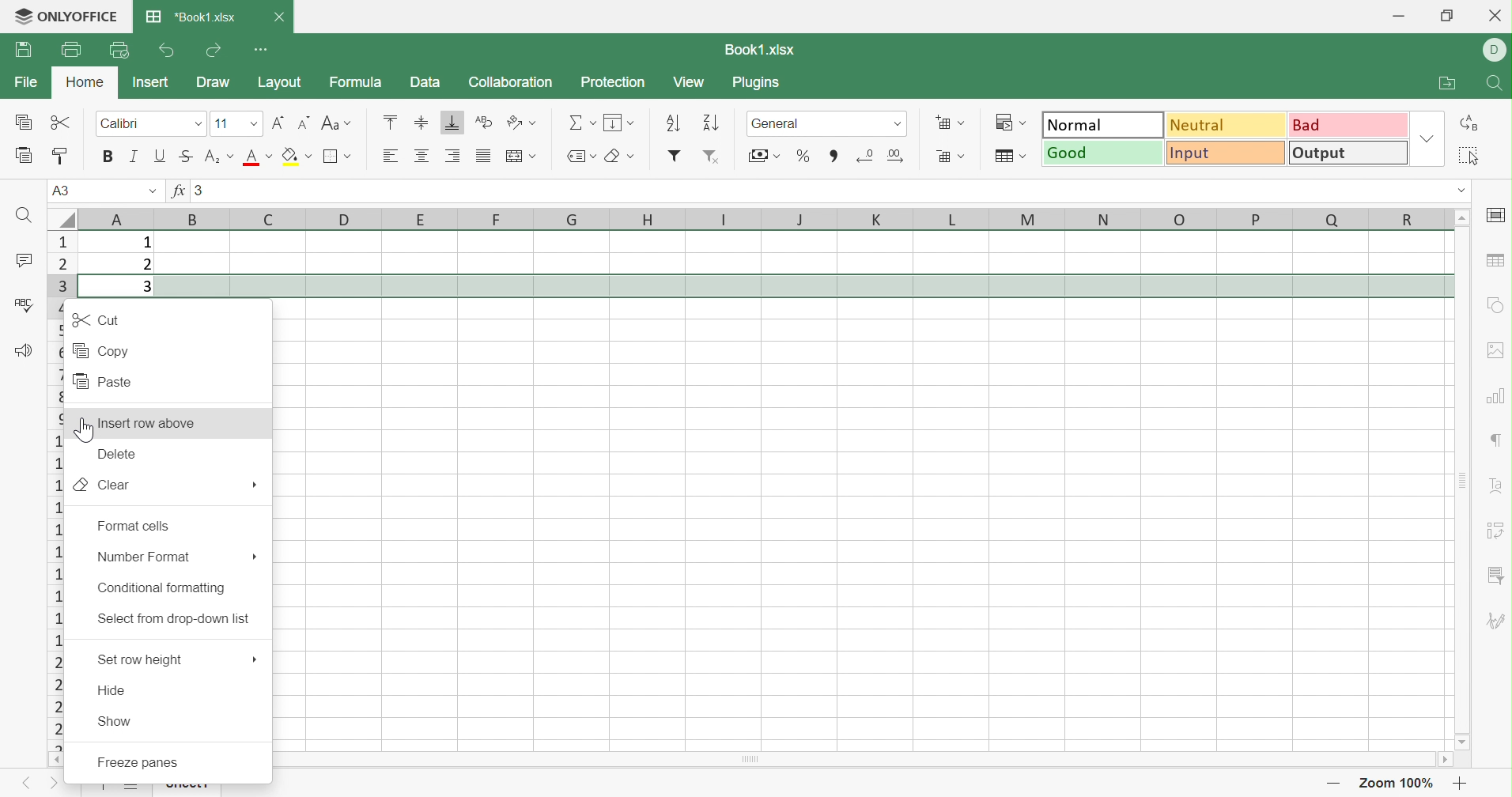 The image size is (1512, 797). Describe the element at coordinates (610, 81) in the screenshot. I see `Protection` at that location.